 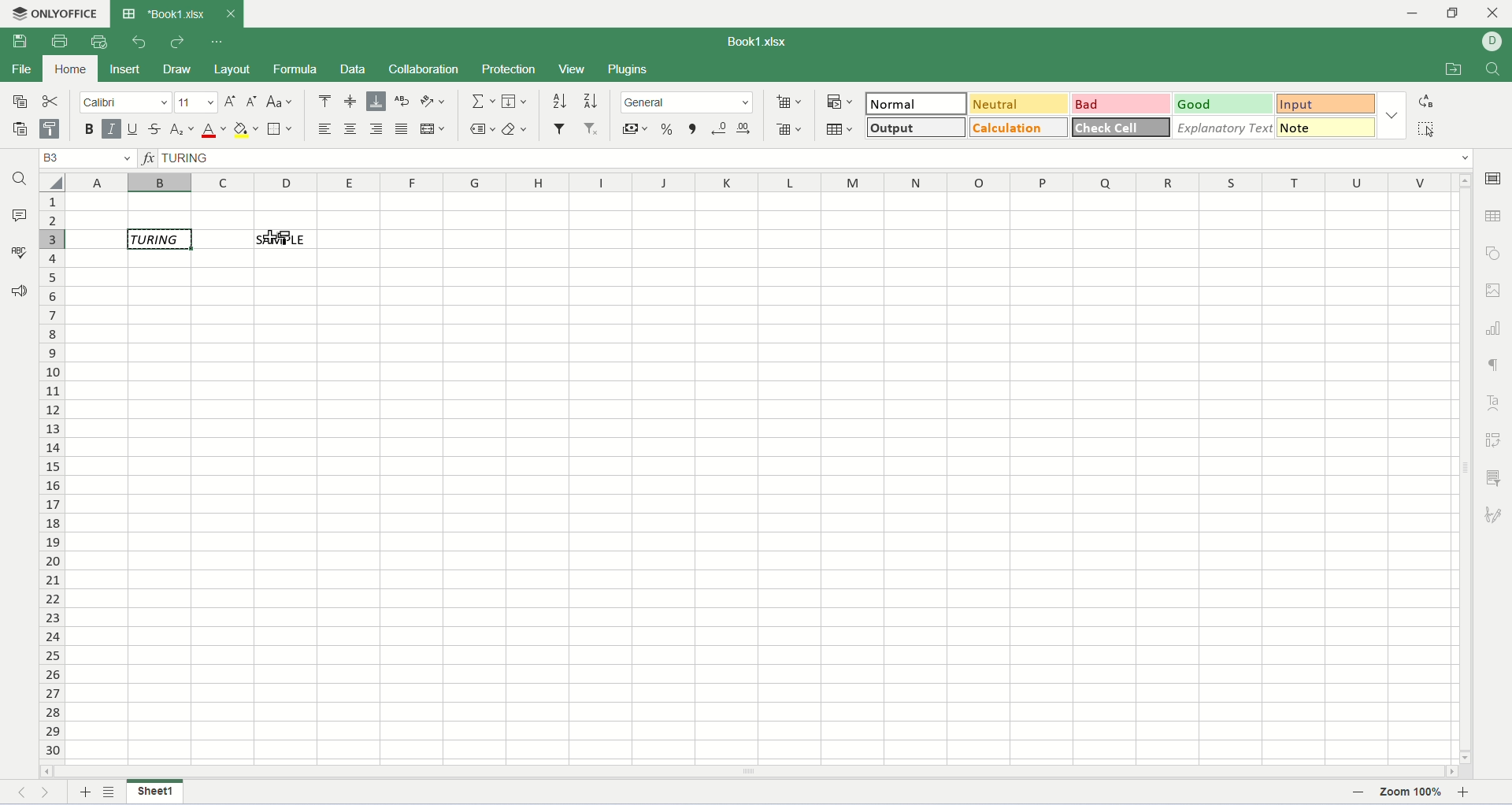 I want to click on sheet name, so click(x=154, y=791).